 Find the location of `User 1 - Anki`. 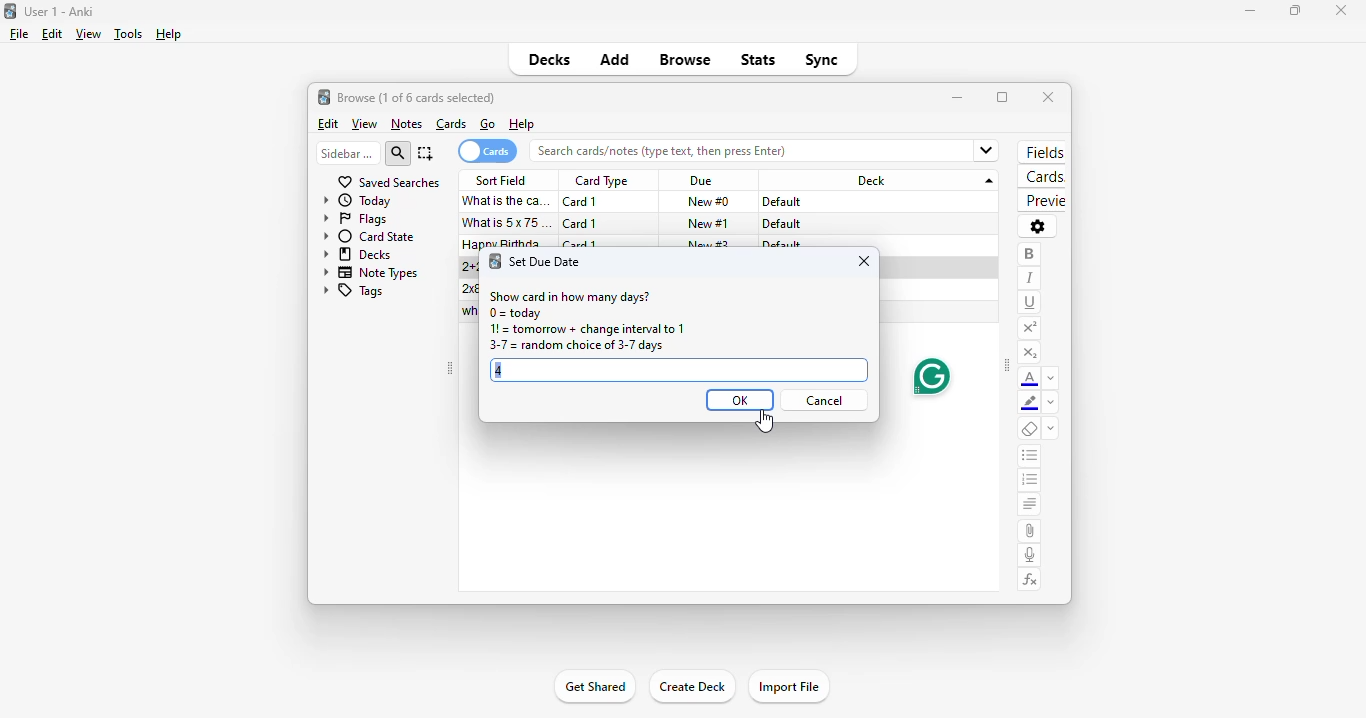

User 1 - Anki is located at coordinates (59, 11).